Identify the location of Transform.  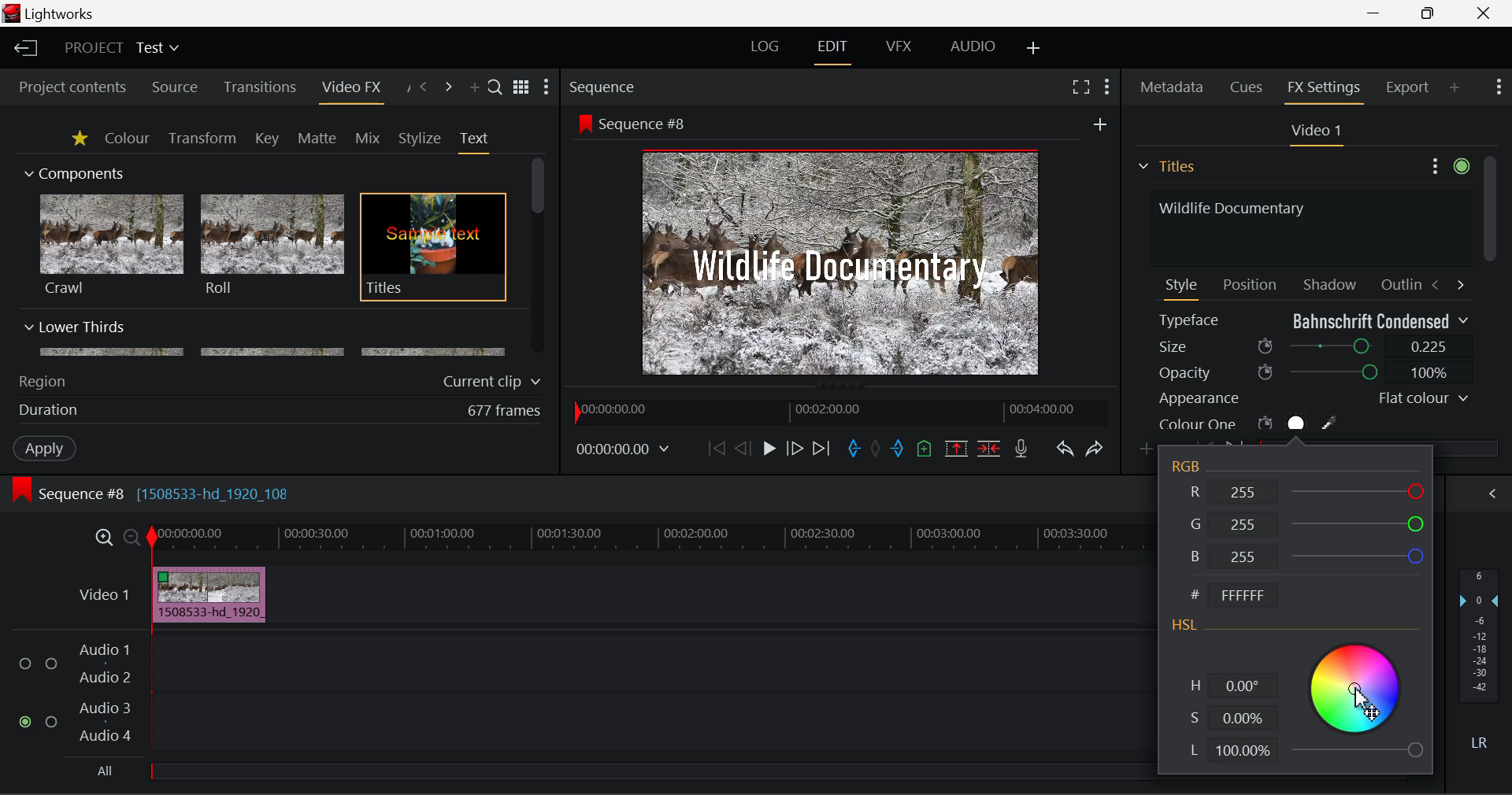
(204, 139).